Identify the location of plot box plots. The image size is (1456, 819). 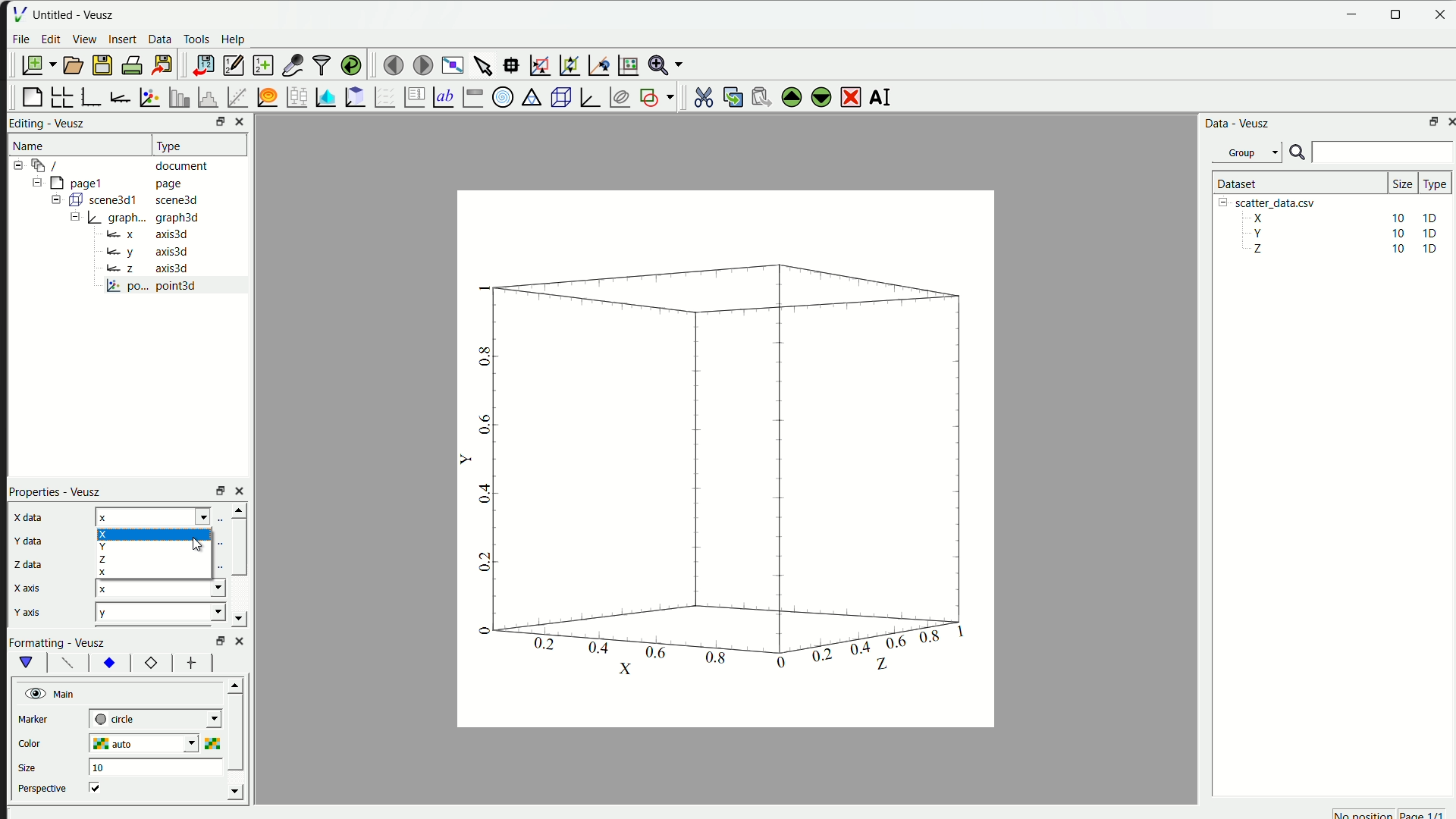
(293, 98).